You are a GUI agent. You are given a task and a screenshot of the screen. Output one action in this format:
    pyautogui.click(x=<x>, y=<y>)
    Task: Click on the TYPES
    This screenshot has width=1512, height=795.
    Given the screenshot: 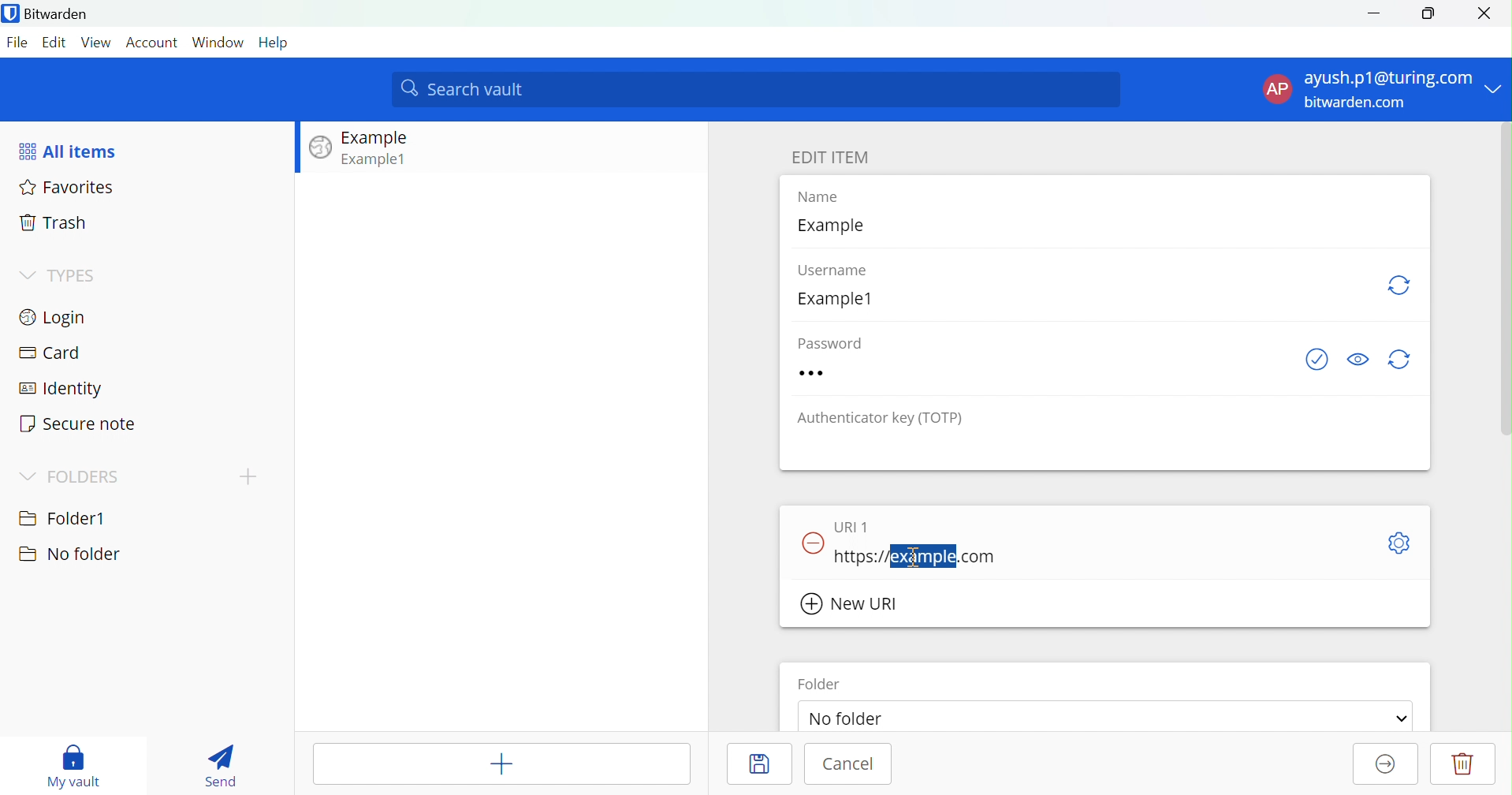 What is the action you would take?
    pyautogui.click(x=74, y=277)
    